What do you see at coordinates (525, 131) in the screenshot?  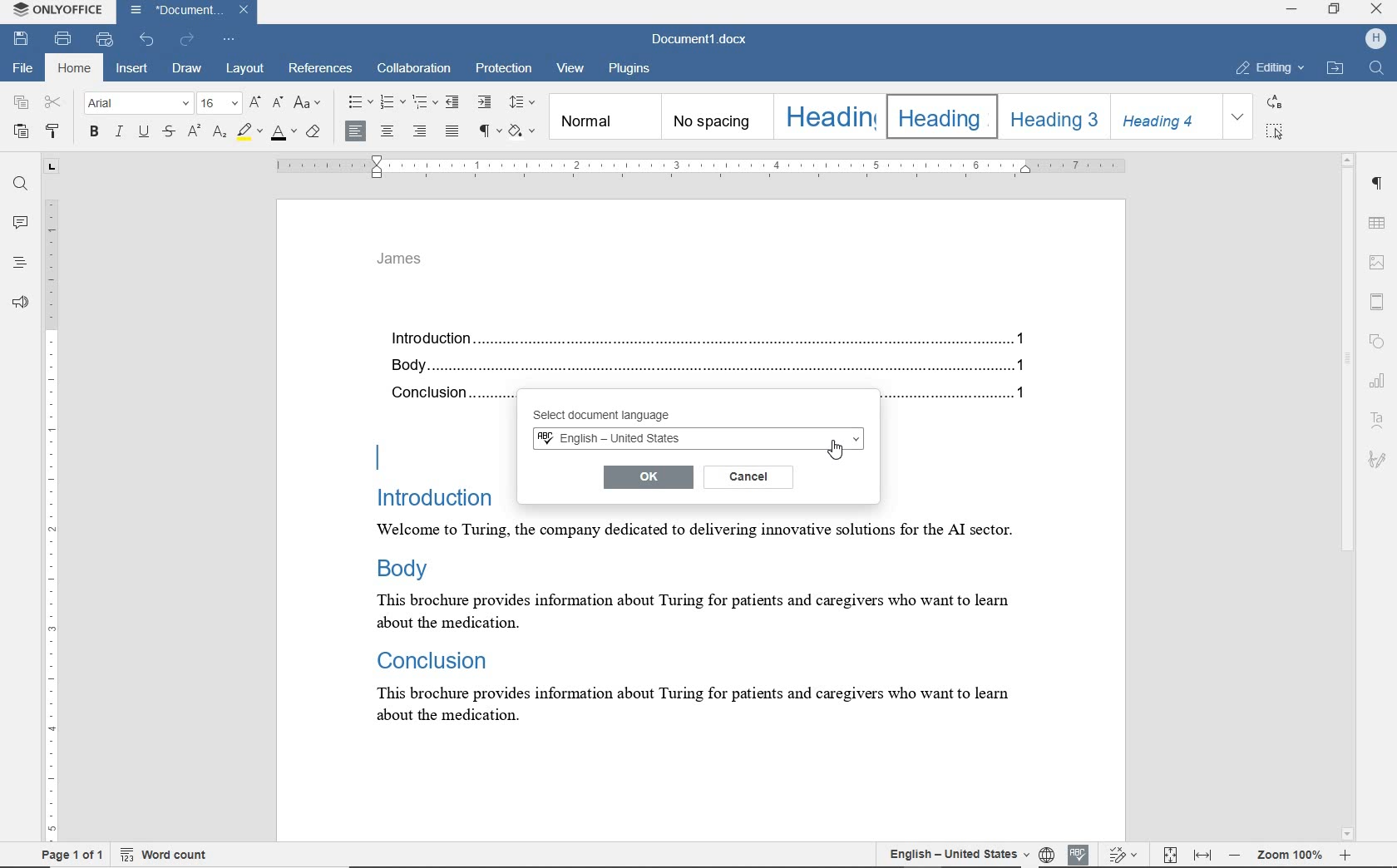 I see `shading` at bounding box center [525, 131].